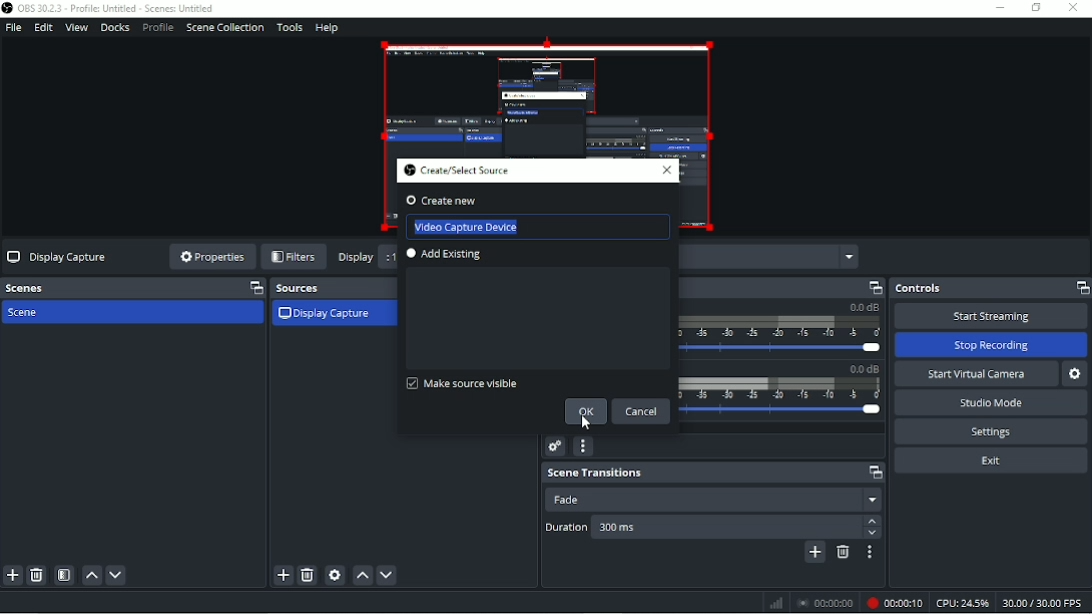 The image size is (1092, 614). What do you see at coordinates (825, 604) in the screenshot?
I see `Stop recording` at bounding box center [825, 604].